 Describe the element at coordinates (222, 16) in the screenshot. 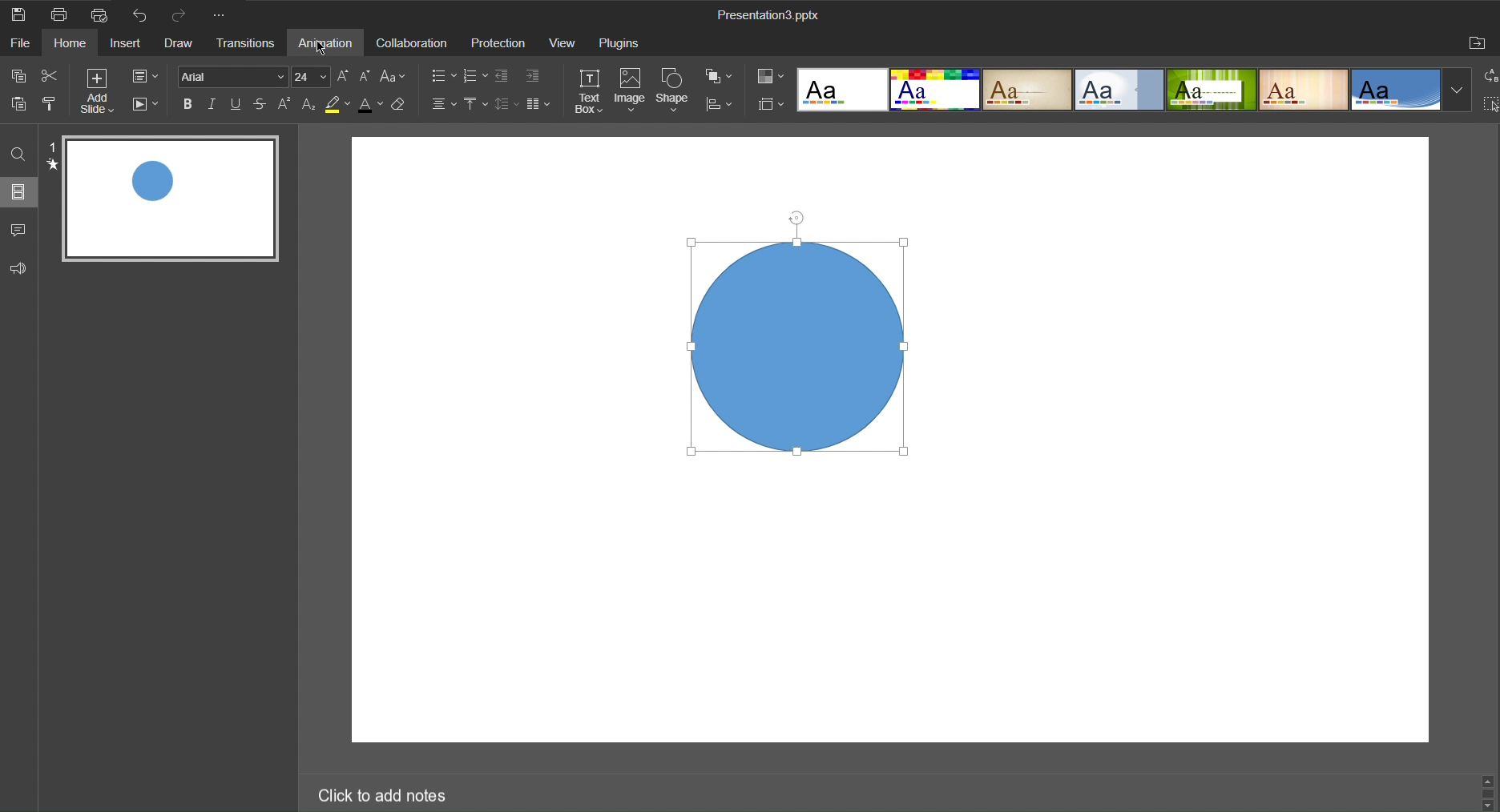

I see `More` at that location.